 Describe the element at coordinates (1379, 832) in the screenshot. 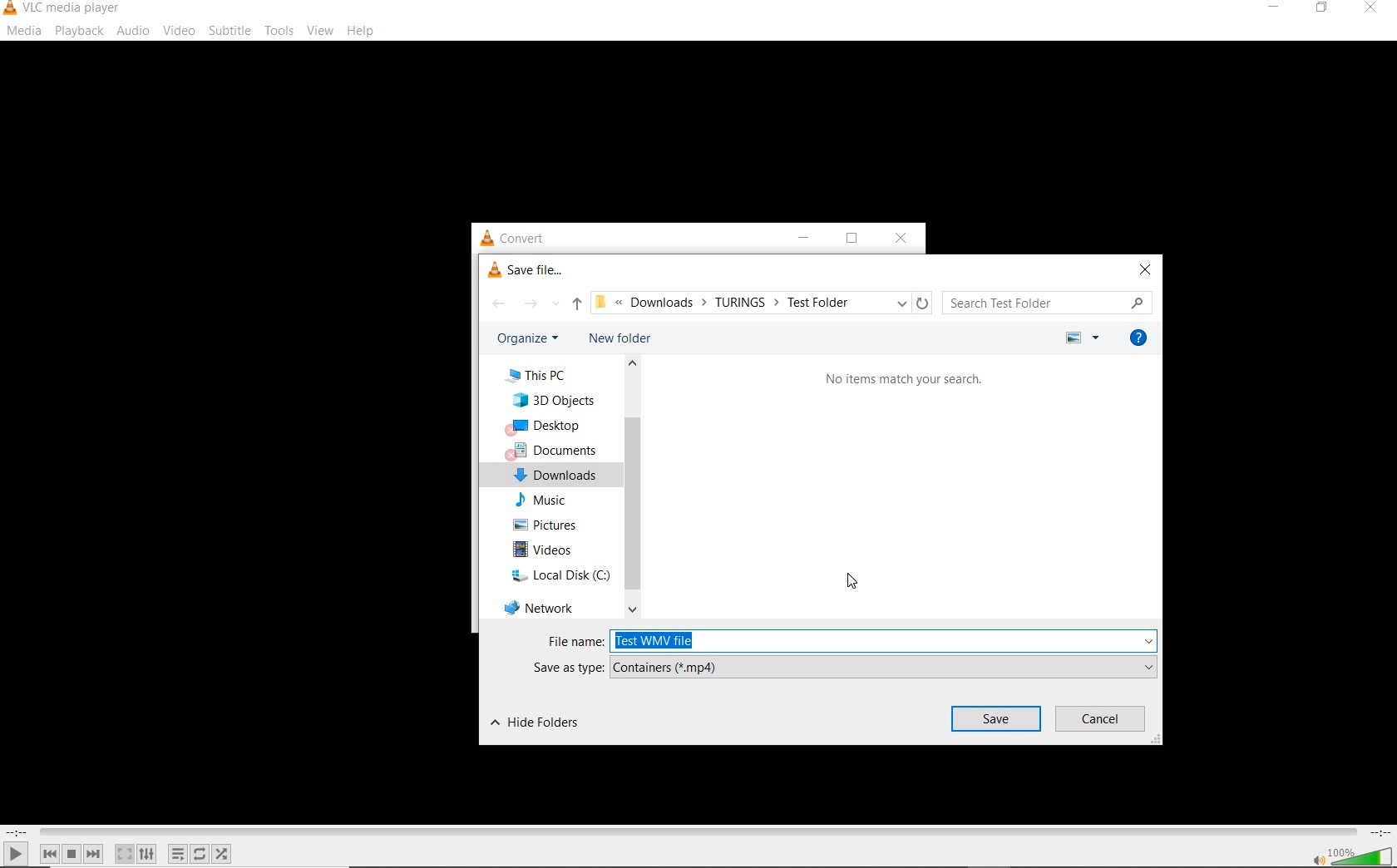

I see `remaining time` at that location.